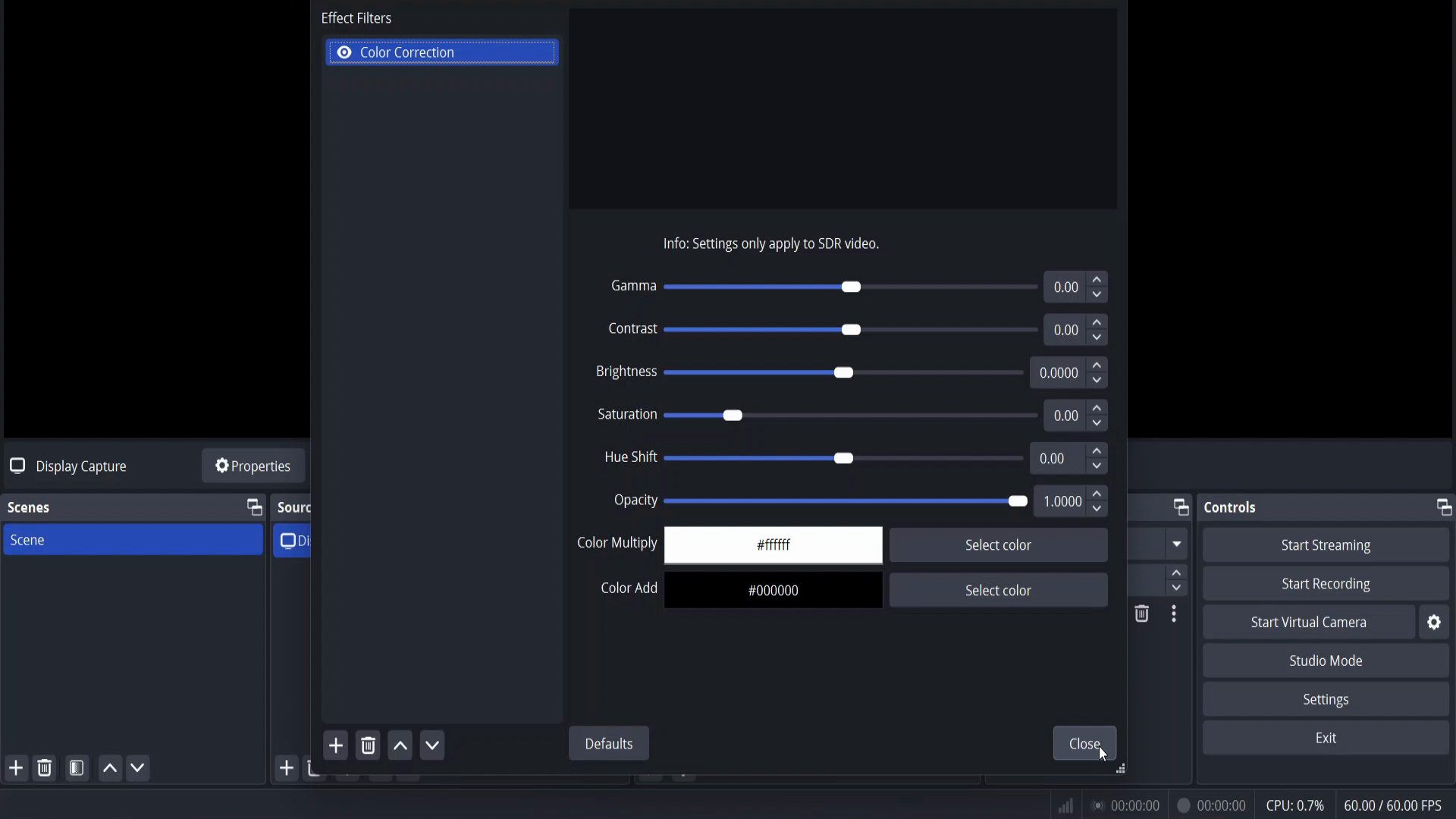 This screenshot has width=1456, height=819. Describe the element at coordinates (836, 419) in the screenshot. I see `Saturation seg 0.00 °` at that location.